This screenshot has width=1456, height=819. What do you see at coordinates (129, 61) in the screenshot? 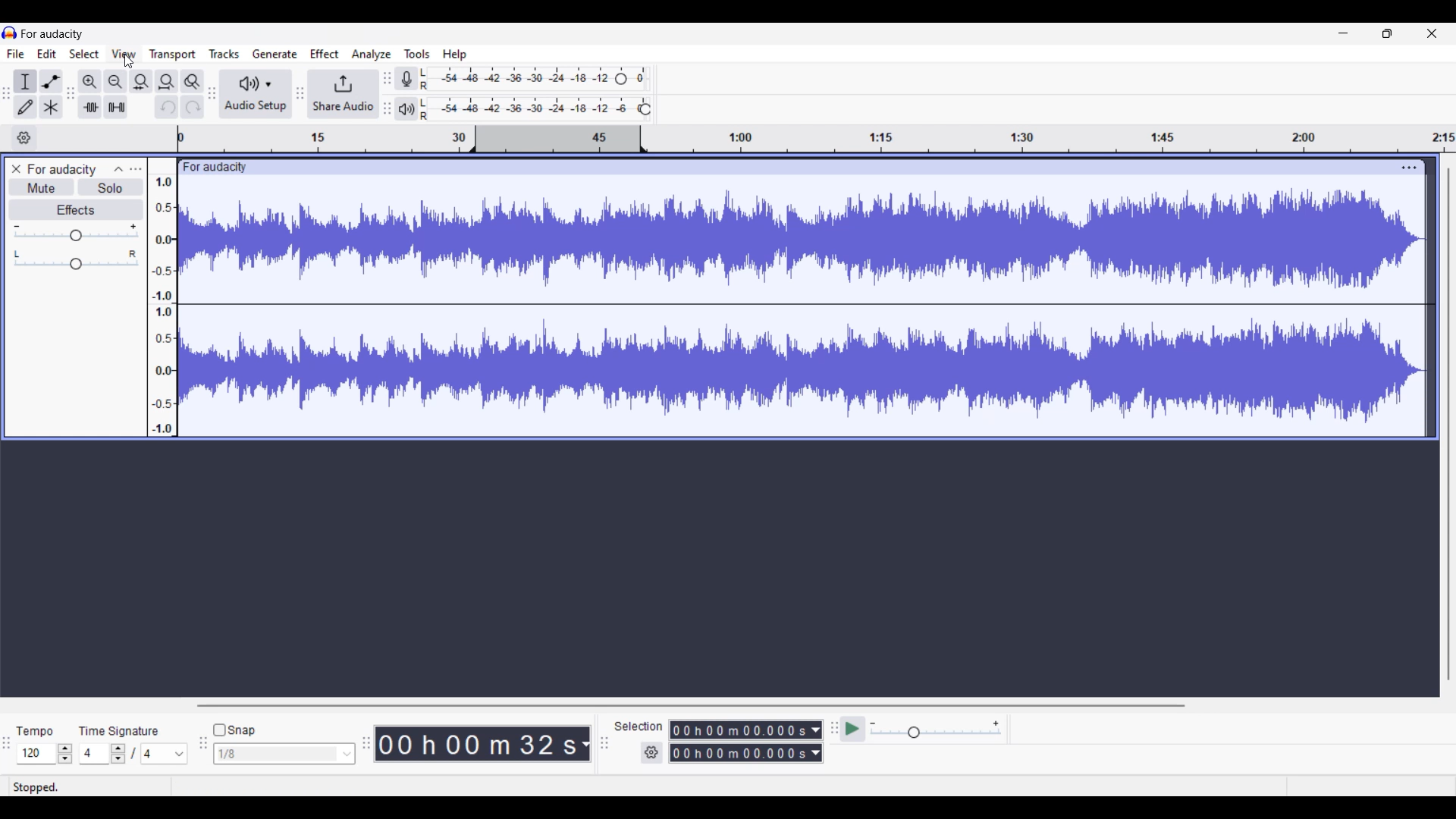
I see `Cursor` at bounding box center [129, 61].